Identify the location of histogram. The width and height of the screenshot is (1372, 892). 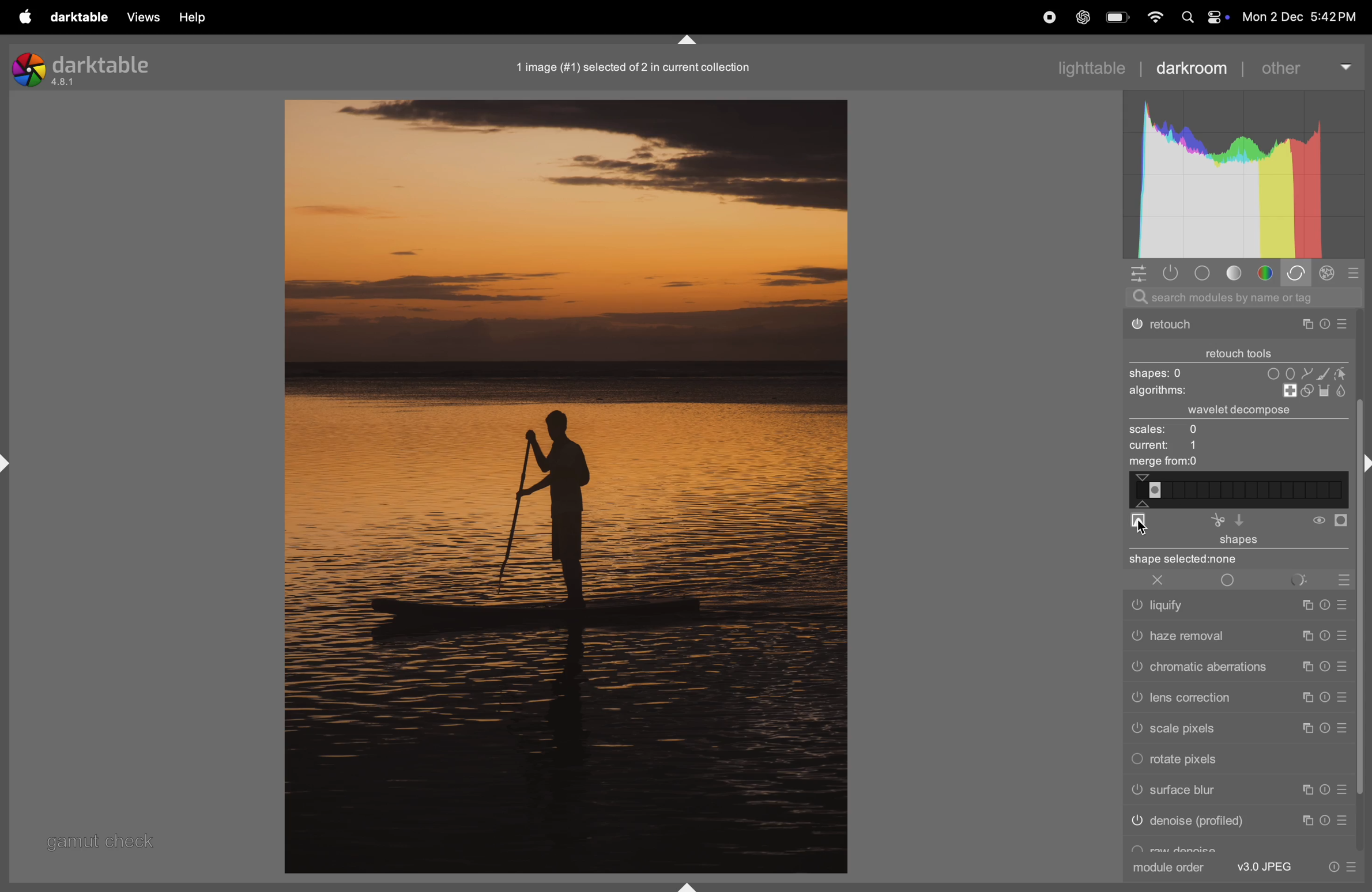
(1241, 174).